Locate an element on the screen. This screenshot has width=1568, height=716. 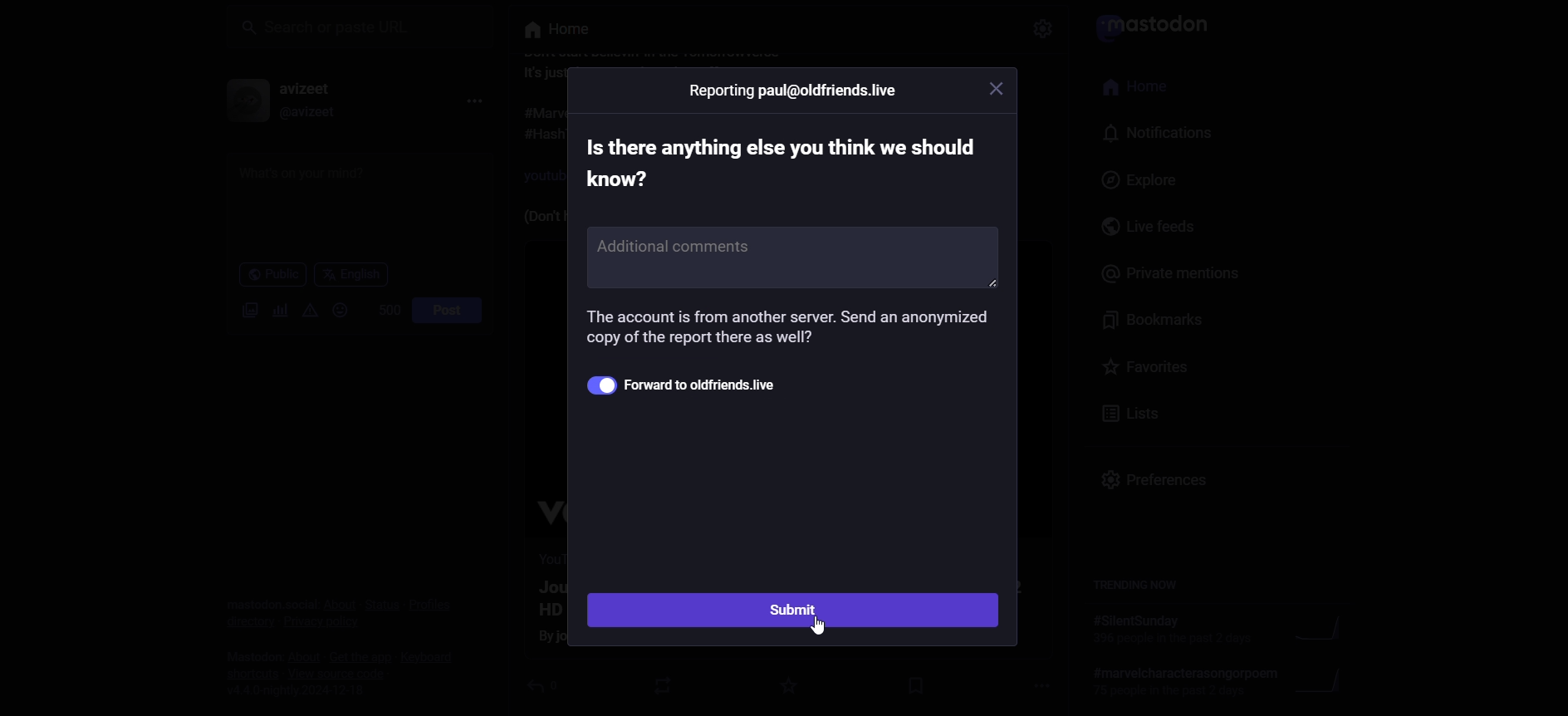
more is located at coordinates (468, 102).